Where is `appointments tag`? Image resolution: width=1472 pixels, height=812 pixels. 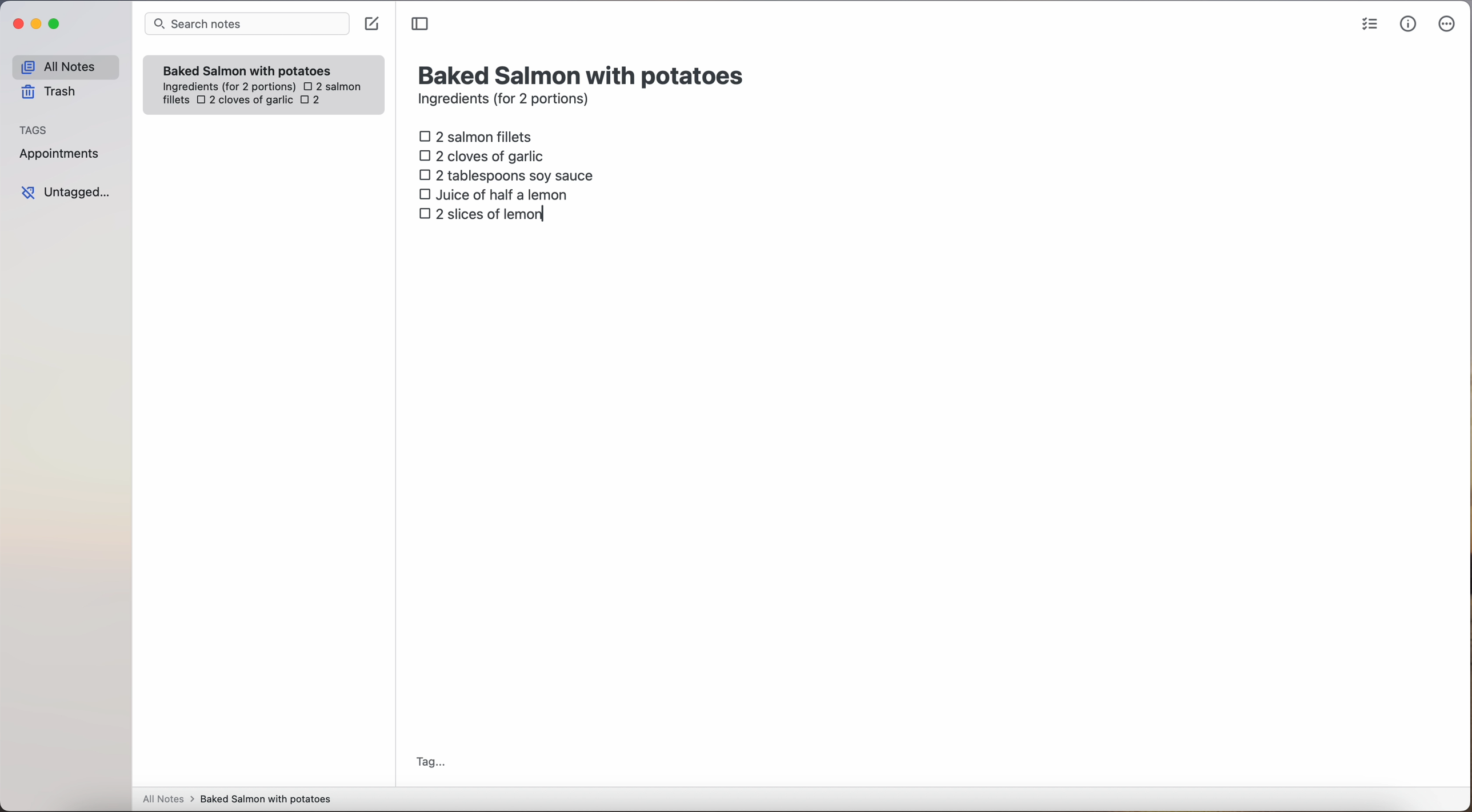
appointments tag is located at coordinates (61, 151).